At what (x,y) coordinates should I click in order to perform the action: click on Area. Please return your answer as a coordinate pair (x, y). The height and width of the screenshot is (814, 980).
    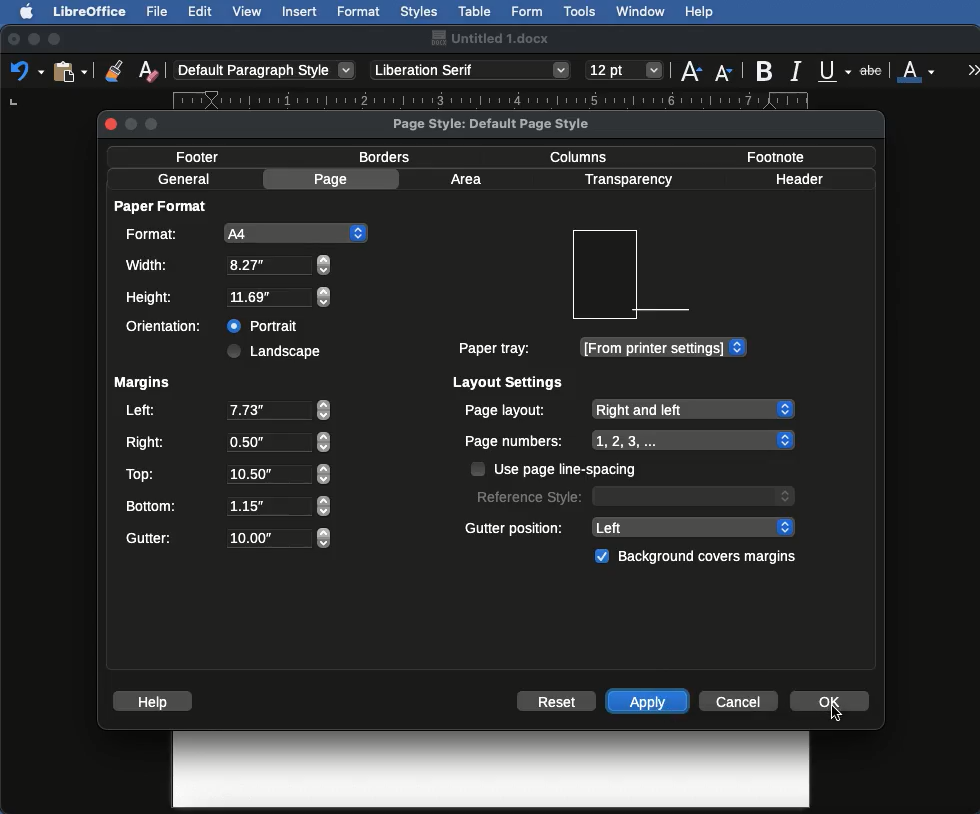
    Looking at the image, I should click on (469, 179).